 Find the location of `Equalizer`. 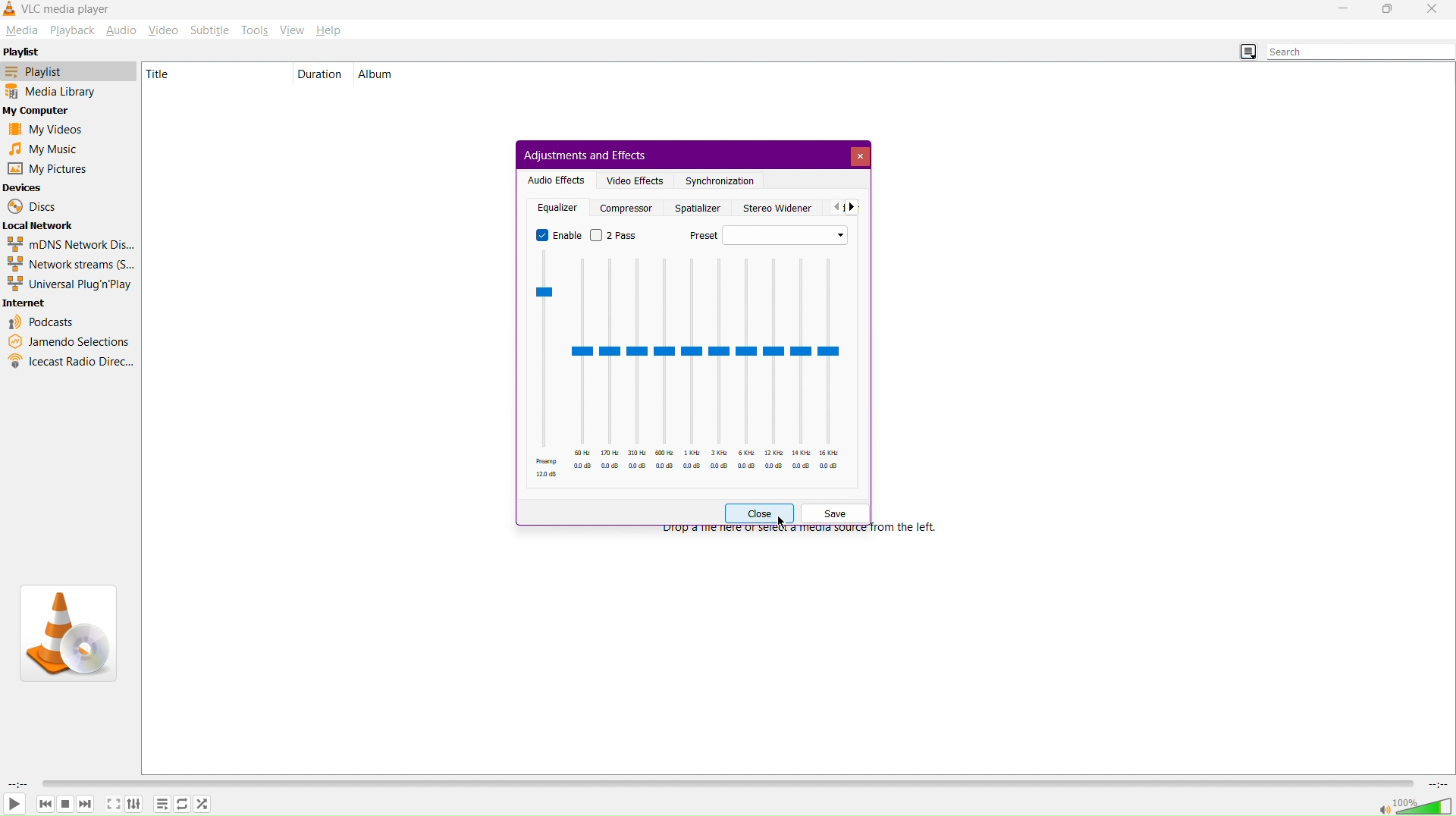

Equalizer is located at coordinates (561, 206).